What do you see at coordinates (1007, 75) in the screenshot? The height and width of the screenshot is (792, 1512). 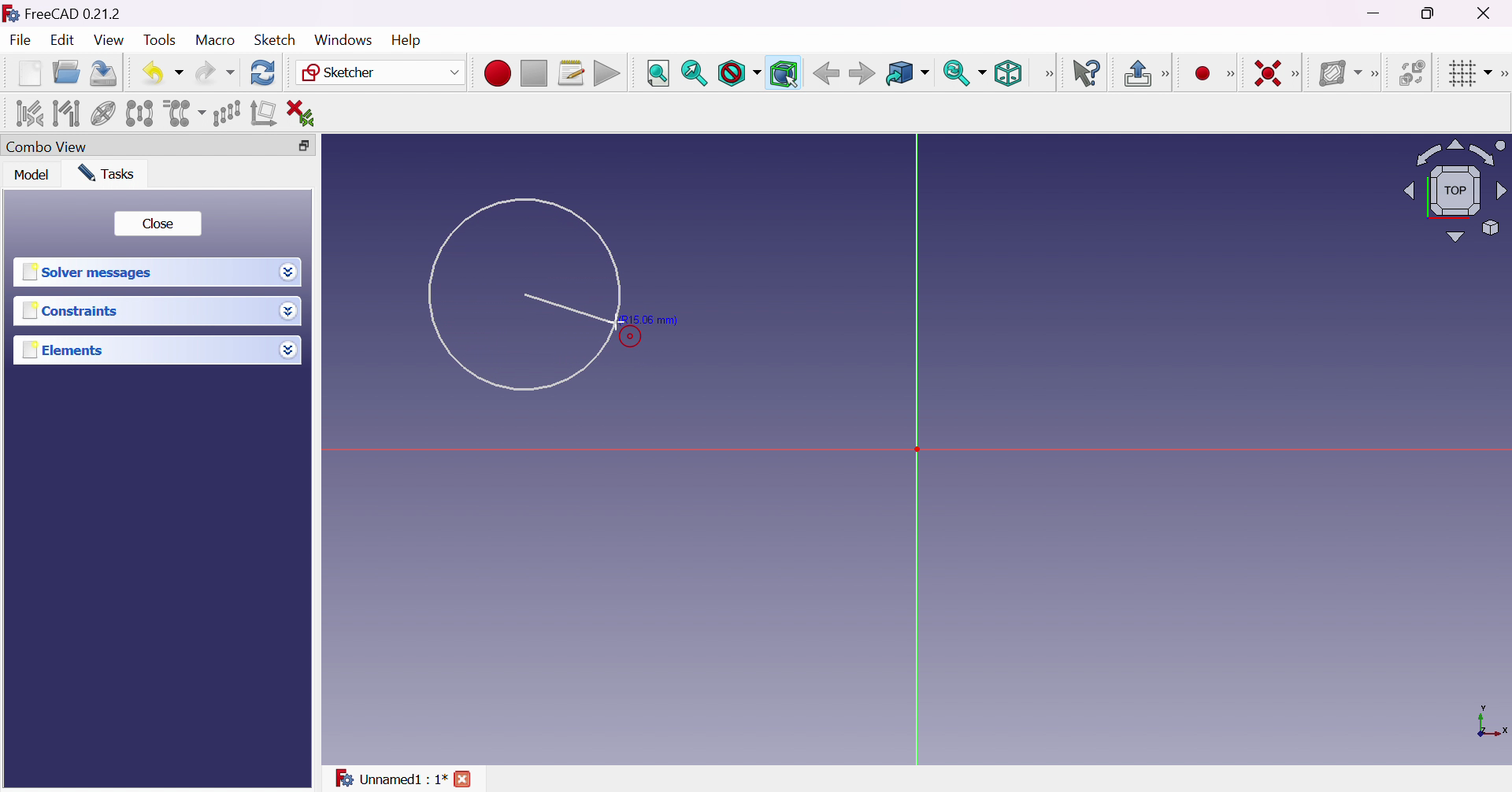 I see `Isometric` at bounding box center [1007, 75].